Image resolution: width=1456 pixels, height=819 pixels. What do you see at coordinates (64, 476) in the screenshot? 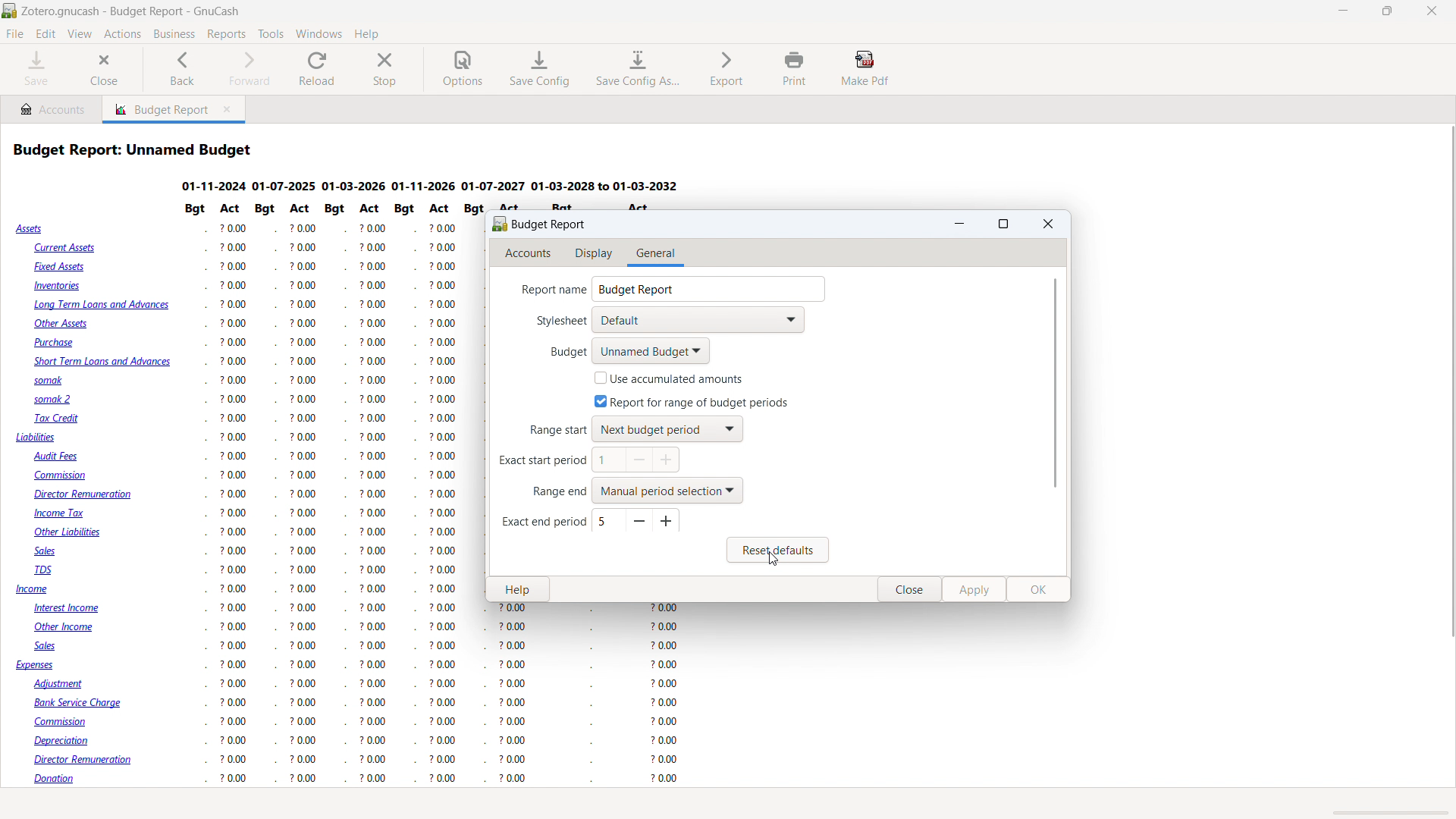
I see `Commission` at bounding box center [64, 476].